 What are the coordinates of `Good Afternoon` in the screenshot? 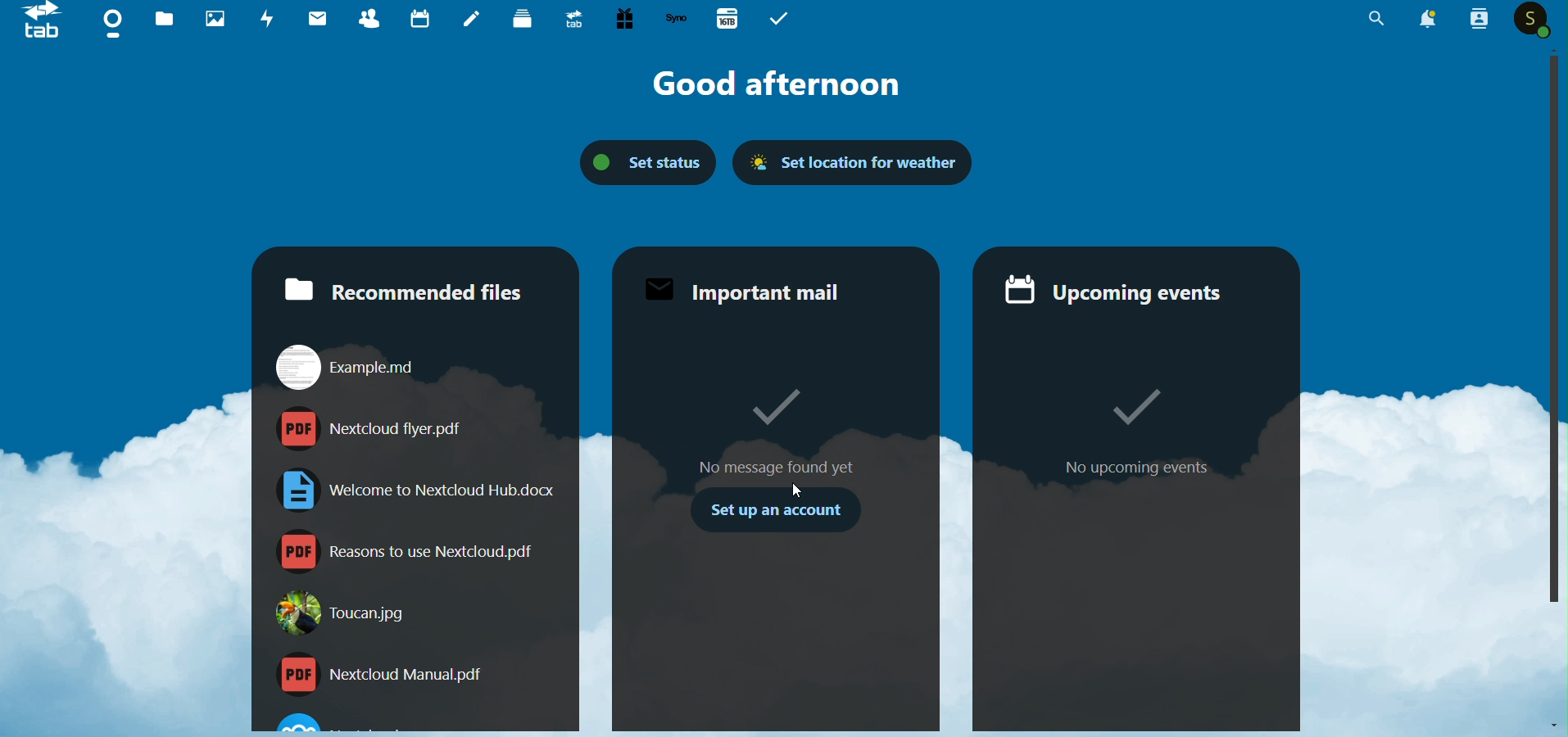 It's located at (776, 85).